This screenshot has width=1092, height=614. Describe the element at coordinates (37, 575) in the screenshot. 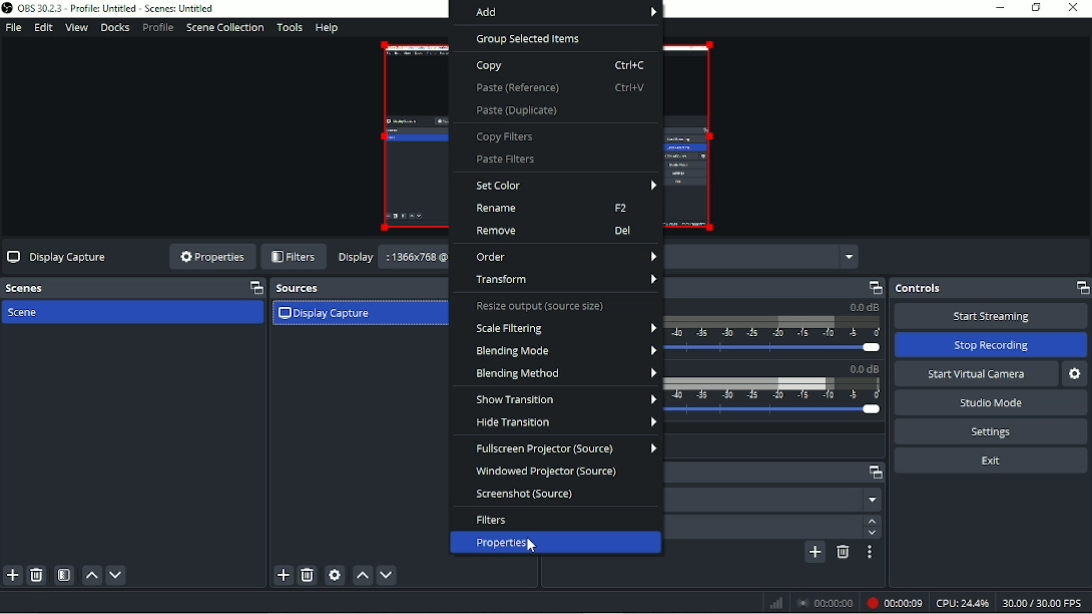

I see `Remove selected scene` at that location.